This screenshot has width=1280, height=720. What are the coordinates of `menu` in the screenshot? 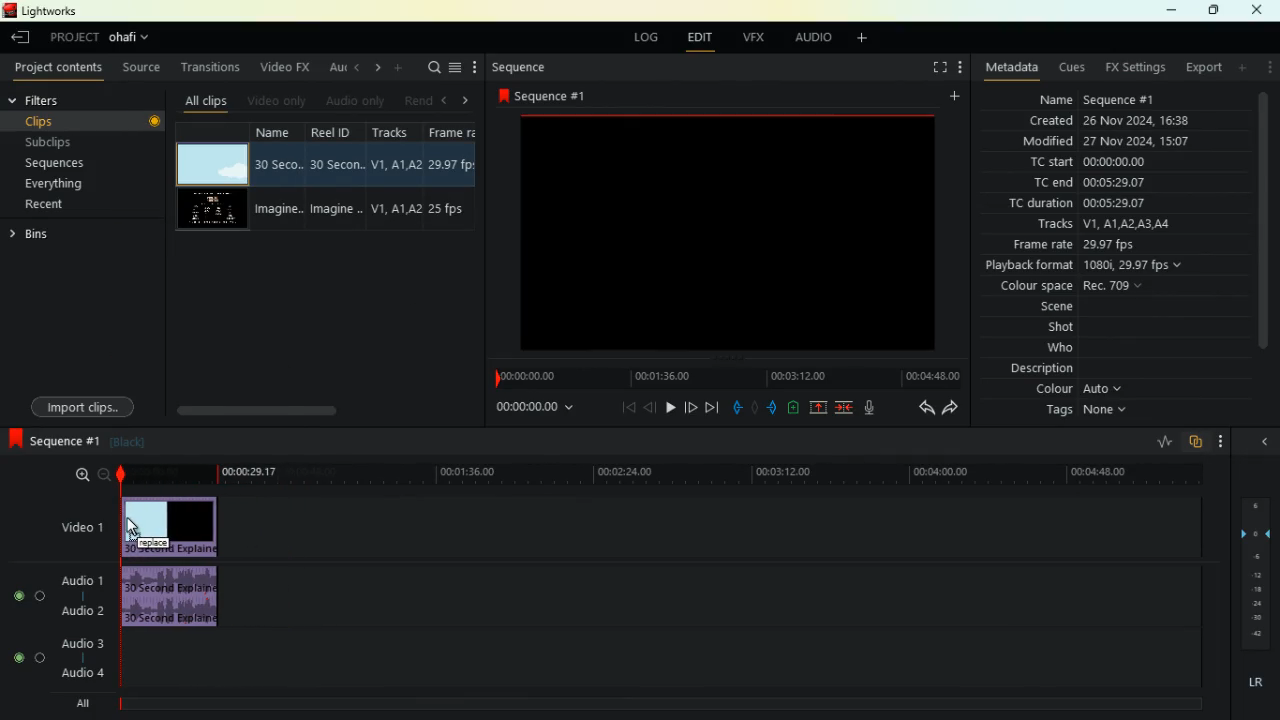 It's located at (1266, 68).